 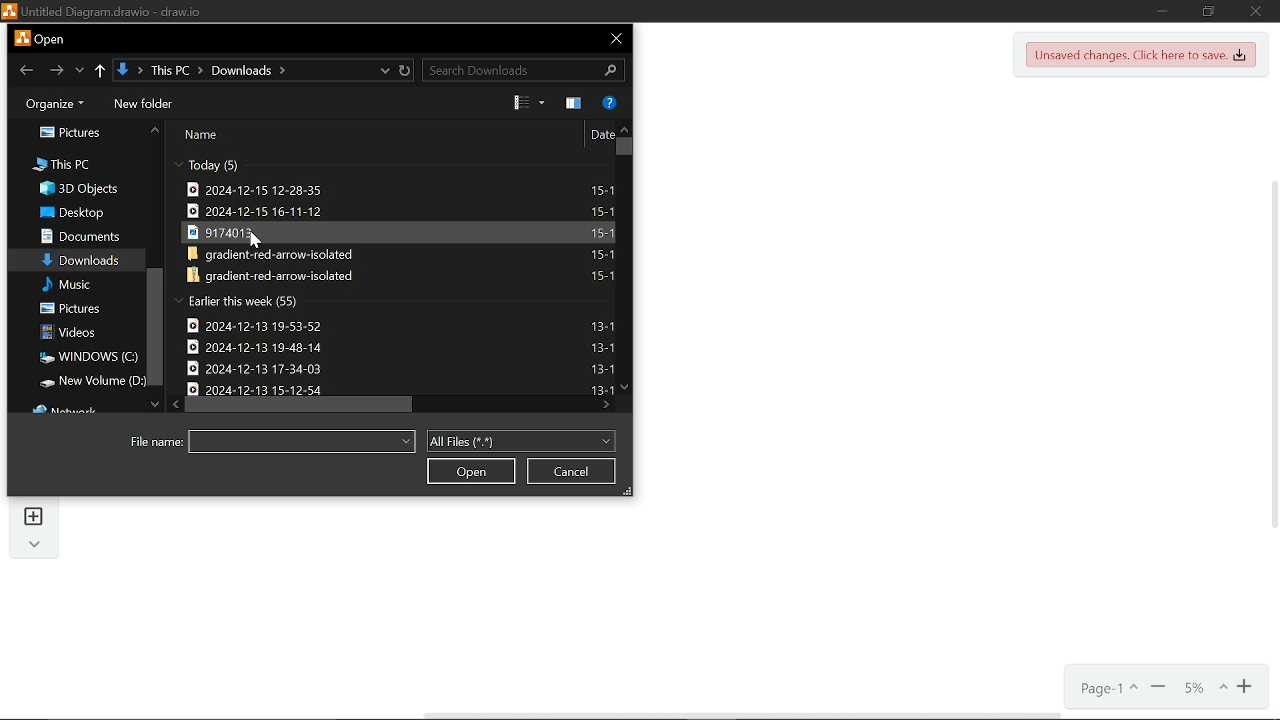 I want to click on file titled "gradient red arrow isolated", so click(x=404, y=275).